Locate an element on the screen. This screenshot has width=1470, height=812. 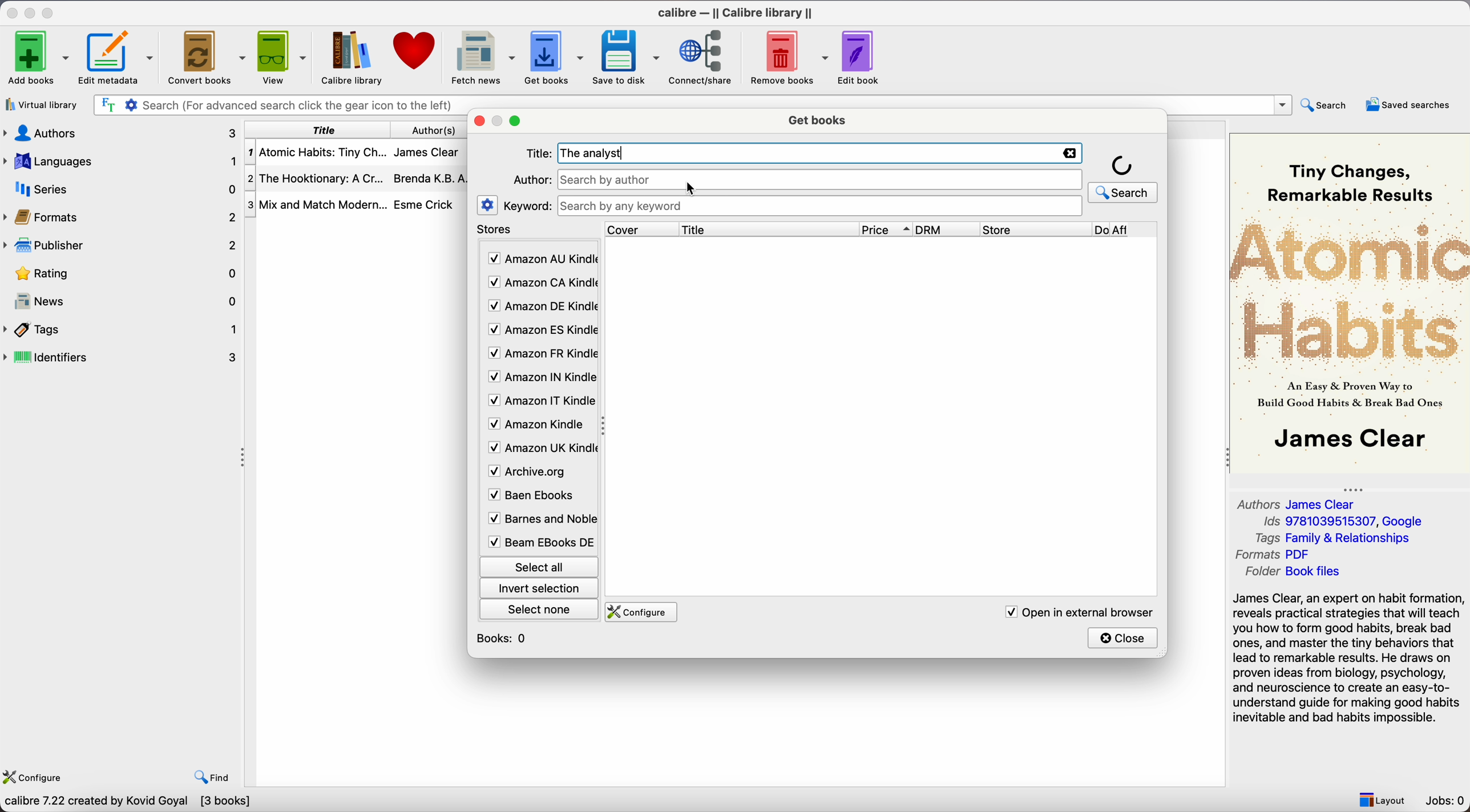
layout is located at coordinates (1382, 800).